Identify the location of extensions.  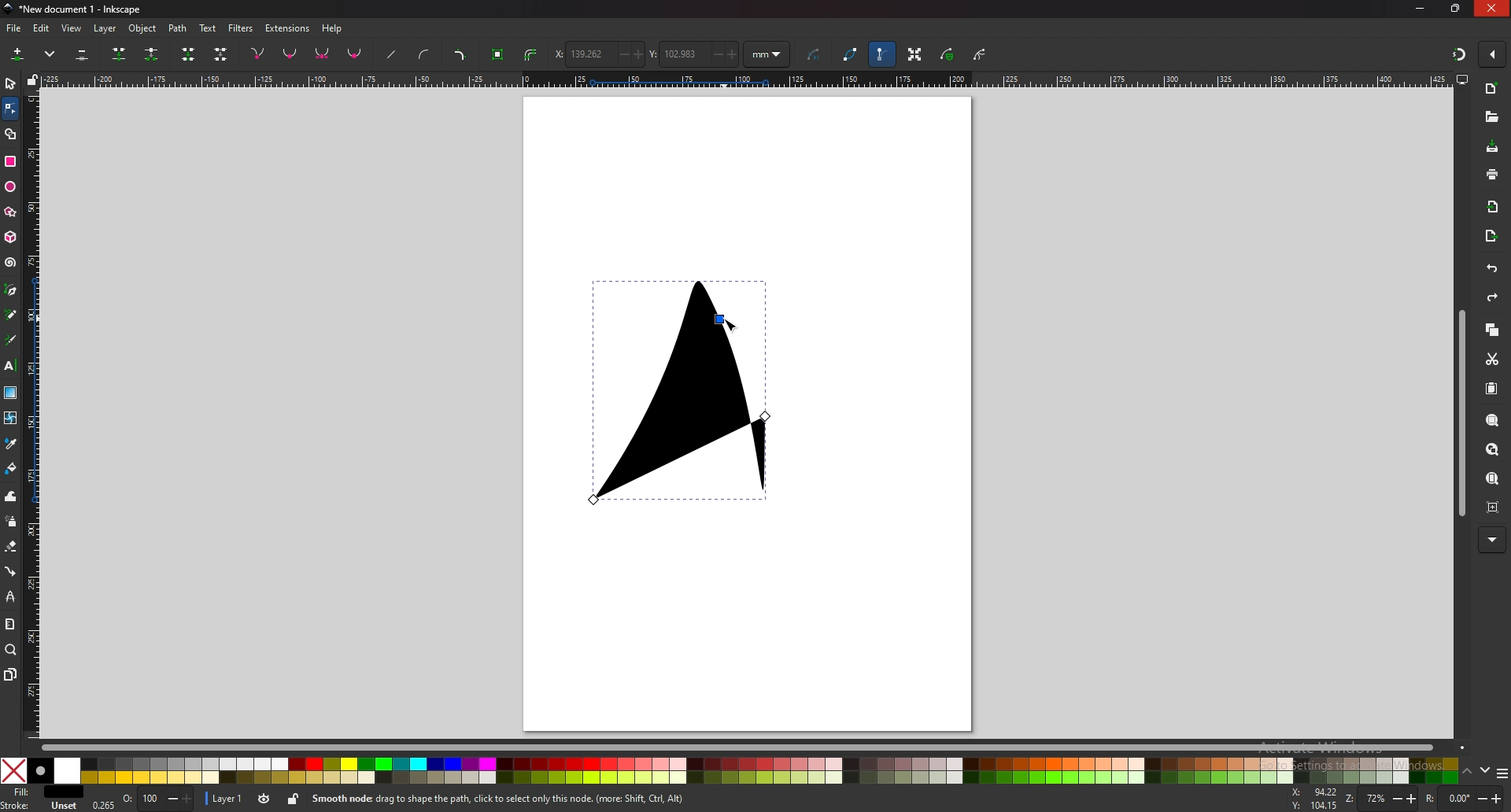
(288, 29).